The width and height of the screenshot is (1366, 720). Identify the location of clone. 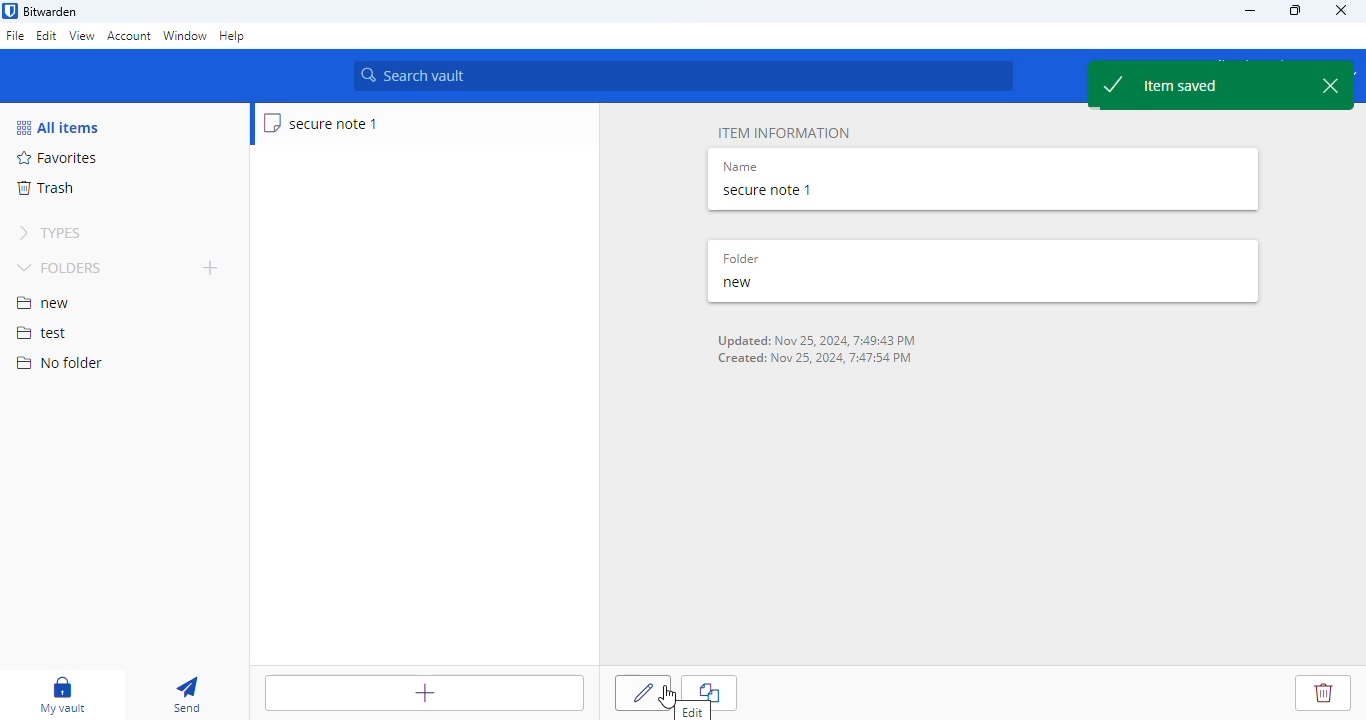
(709, 692).